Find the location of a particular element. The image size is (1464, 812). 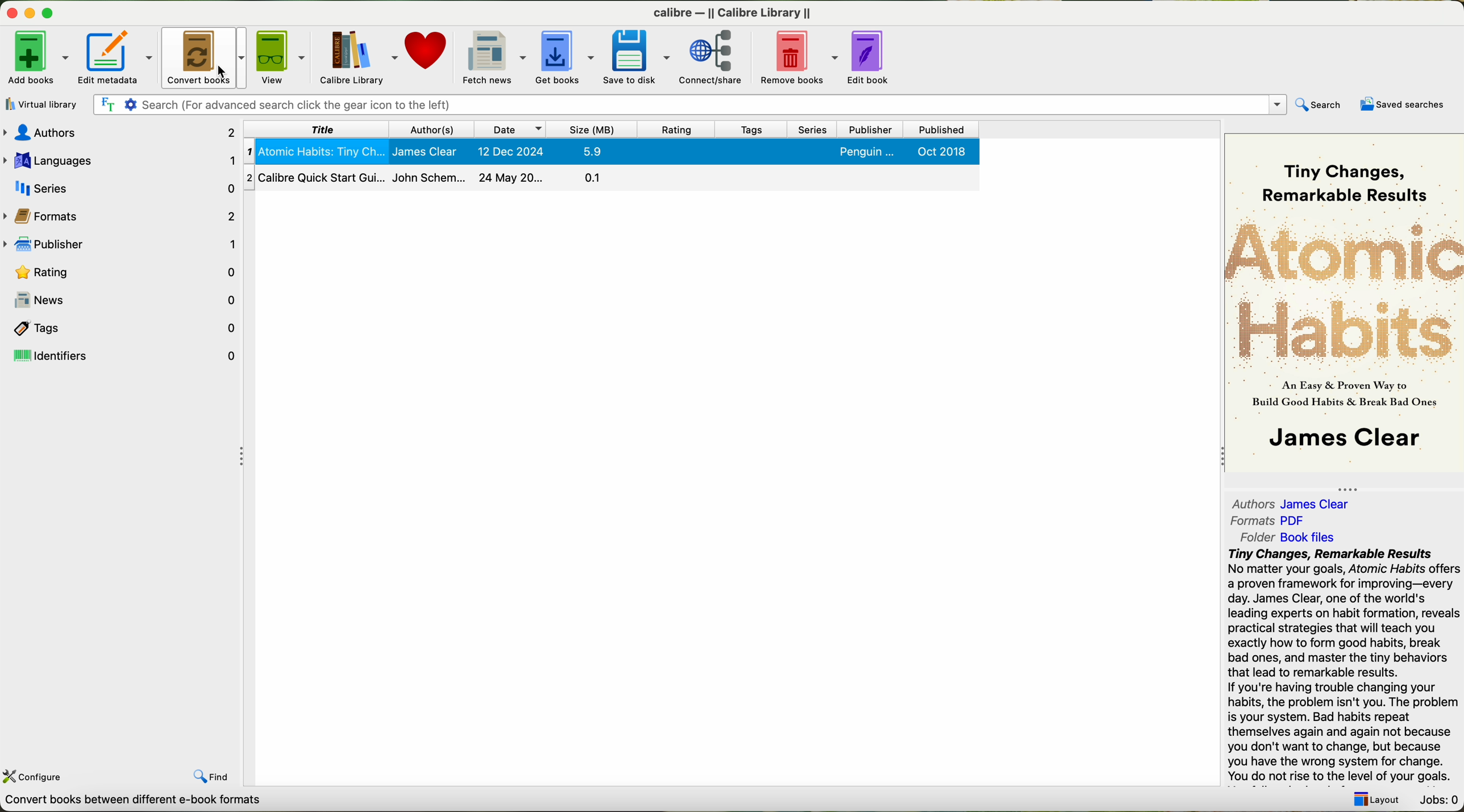

tags is located at coordinates (752, 130).